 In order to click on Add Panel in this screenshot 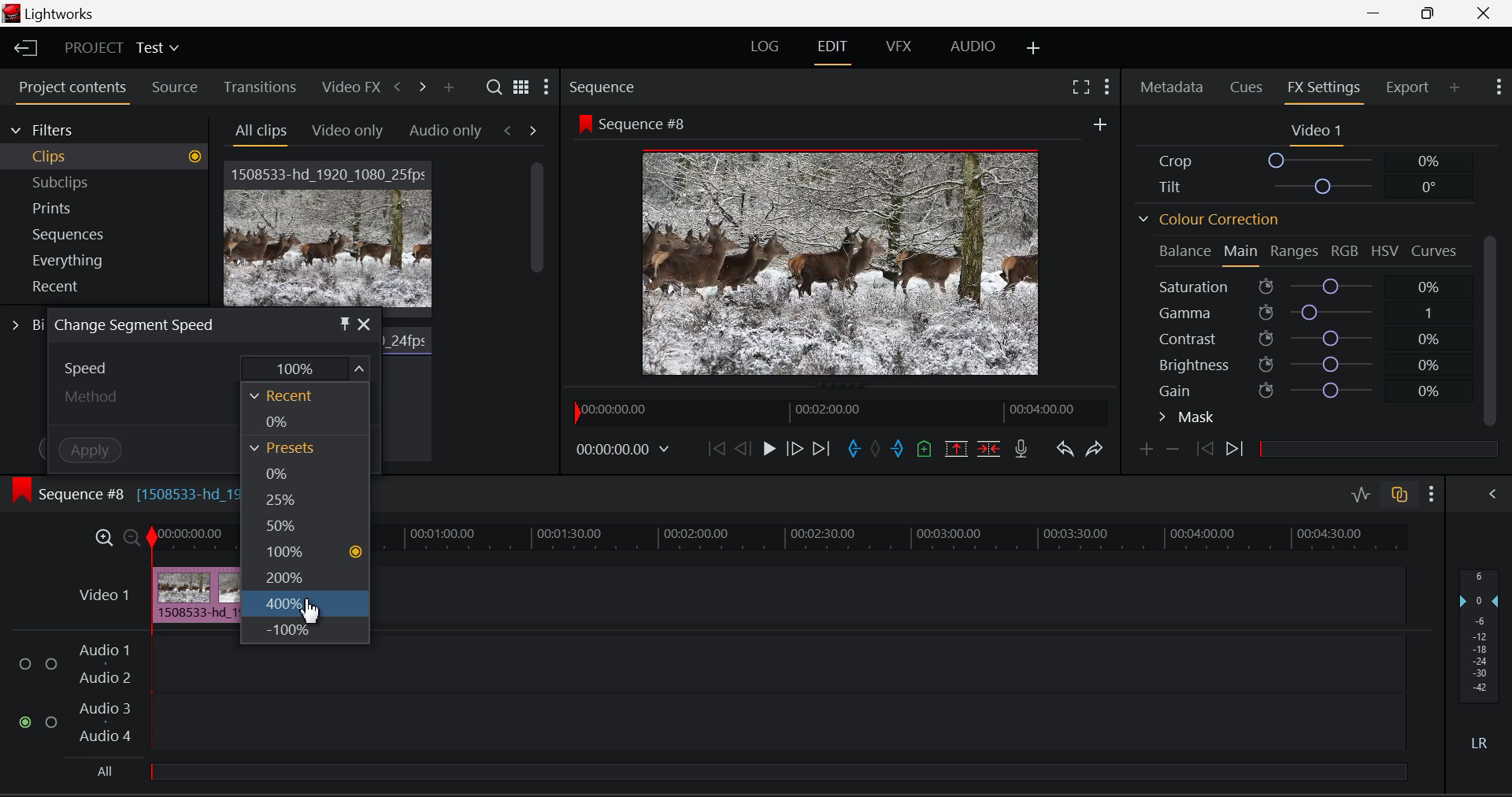, I will do `click(1456, 89)`.